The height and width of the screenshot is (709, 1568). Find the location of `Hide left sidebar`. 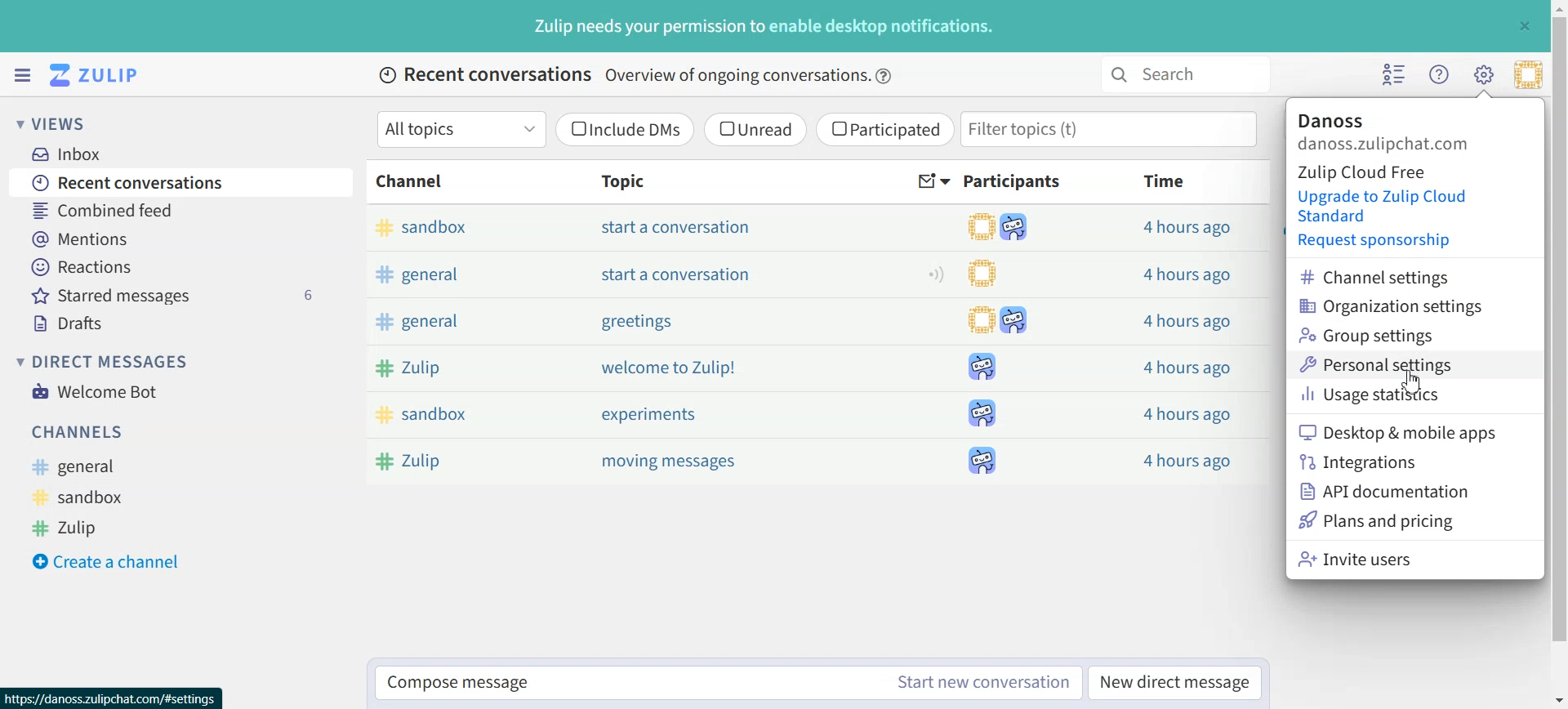

Hide left sidebar is located at coordinates (22, 75).